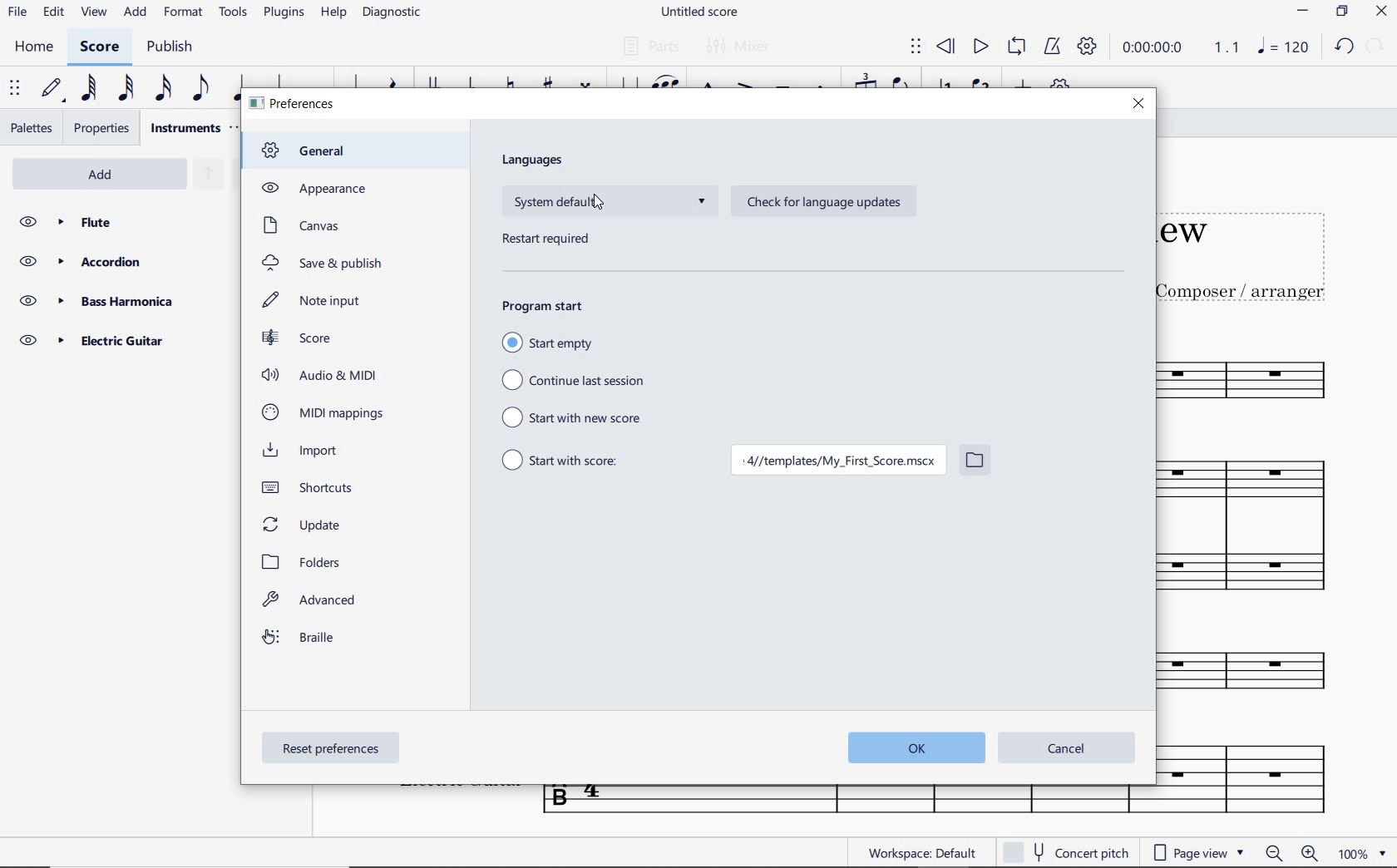 The width and height of the screenshot is (1397, 868). I want to click on import, so click(306, 451).